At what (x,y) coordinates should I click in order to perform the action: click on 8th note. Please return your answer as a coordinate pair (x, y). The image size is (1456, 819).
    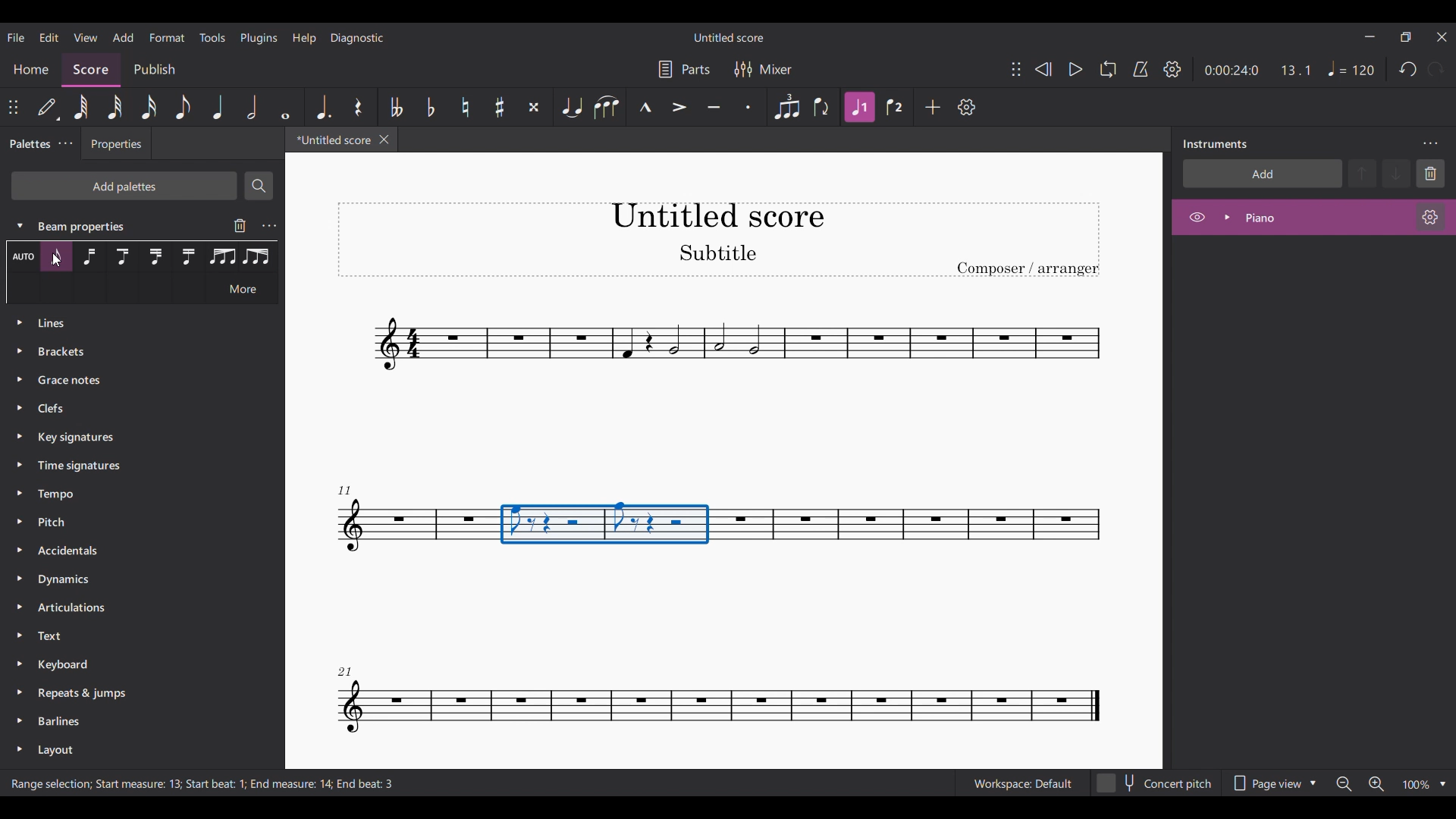
    Looking at the image, I should click on (183, 107).